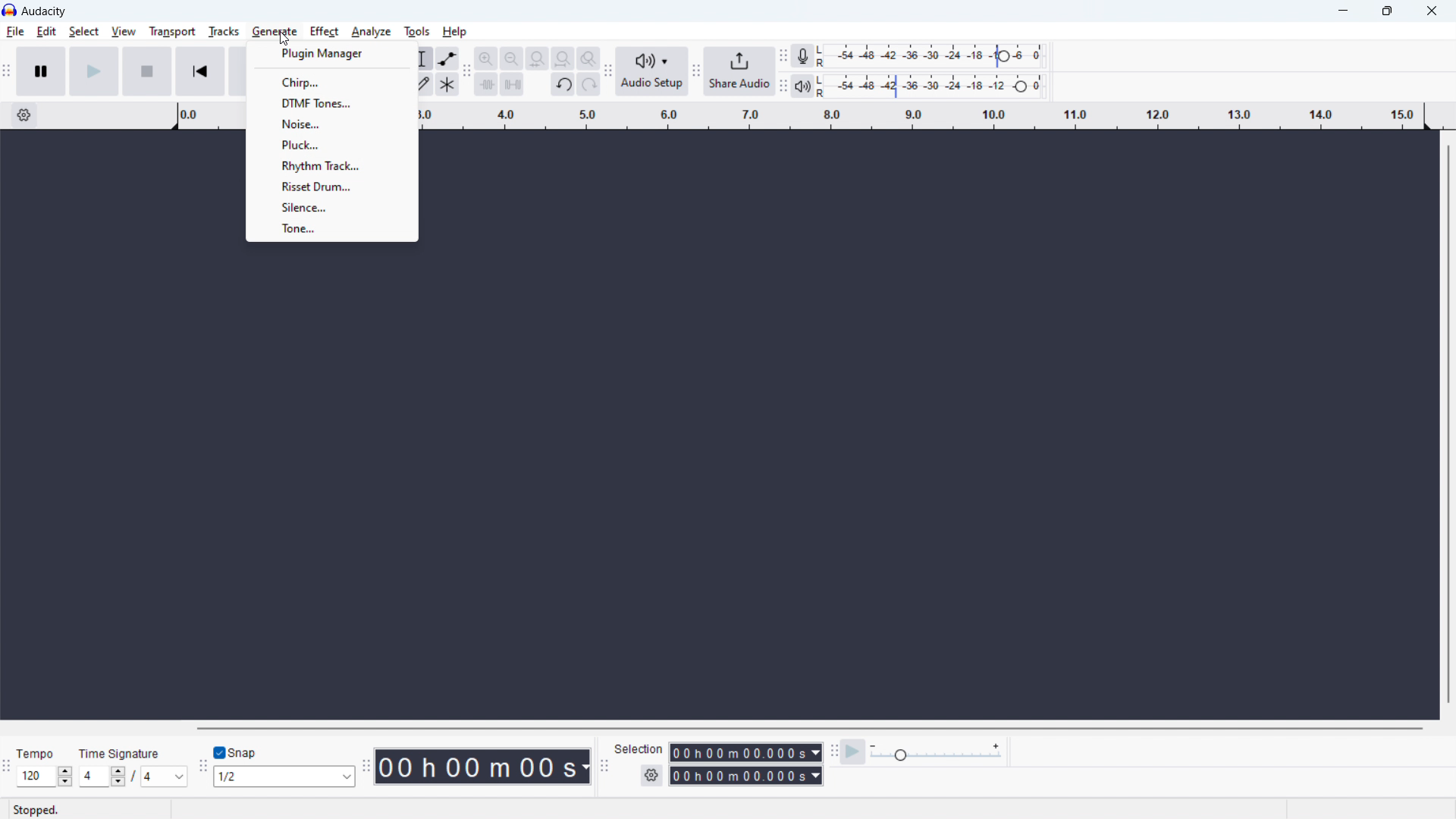  Describe the element at coordinates (147, 71) in the screenshot. I see `stop` at that location.